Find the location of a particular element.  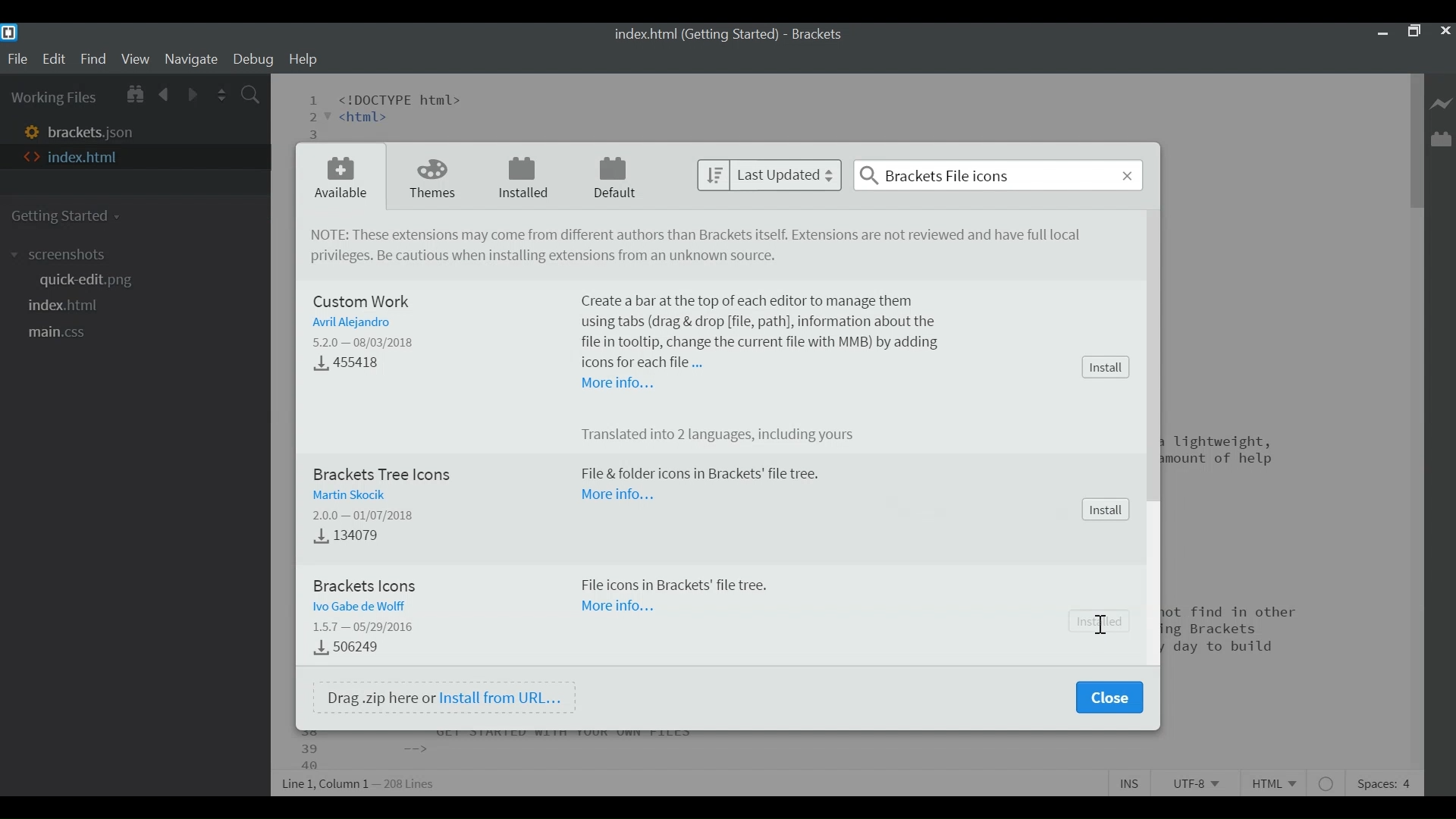

Brackets Icon is located at coordinates (371, 583).